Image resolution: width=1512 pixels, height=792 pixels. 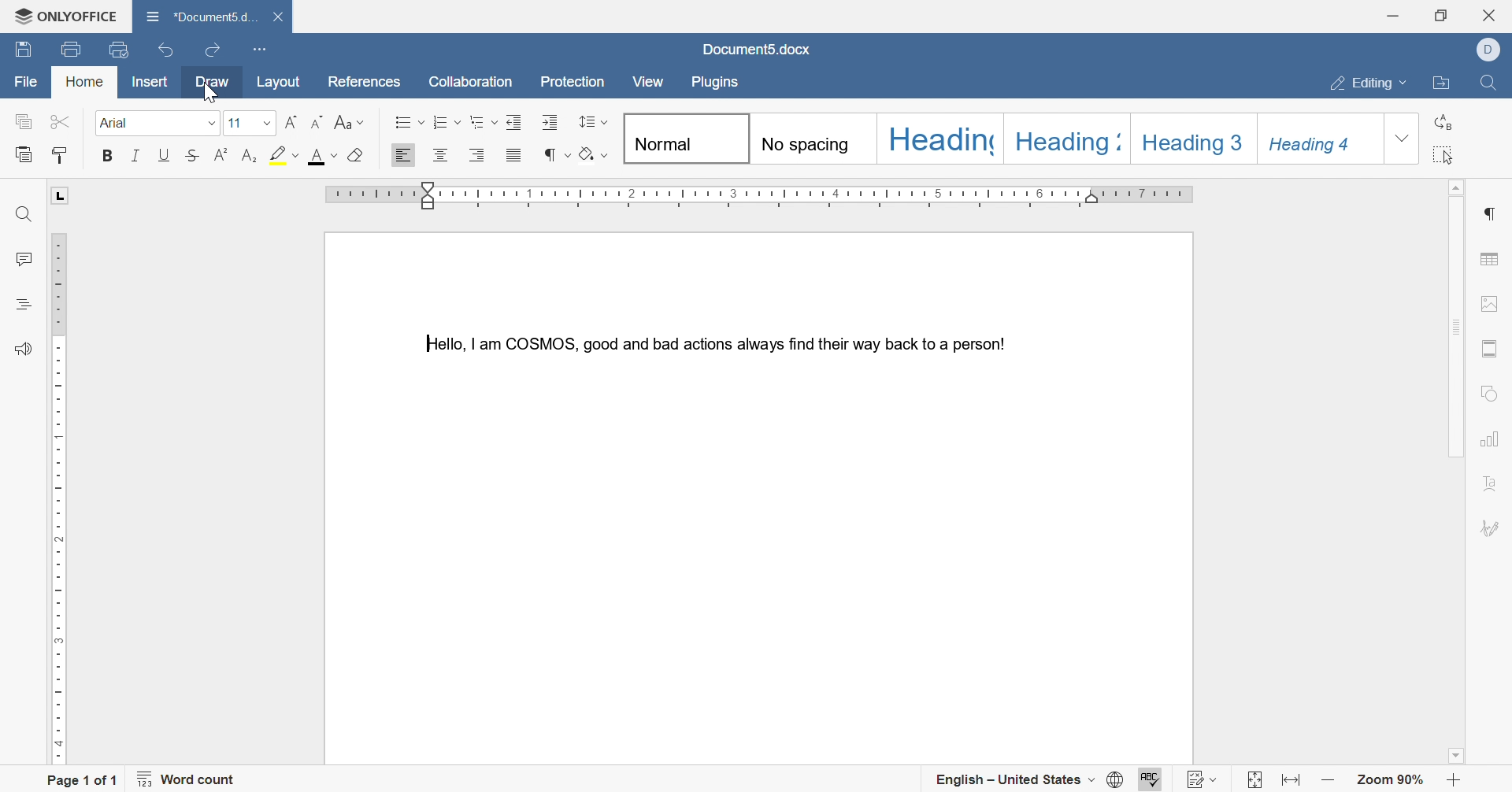 What do you see at coordinates (201, 14) in the screenshot?
I see `*document5.docx` at bounding box center [201, 14].